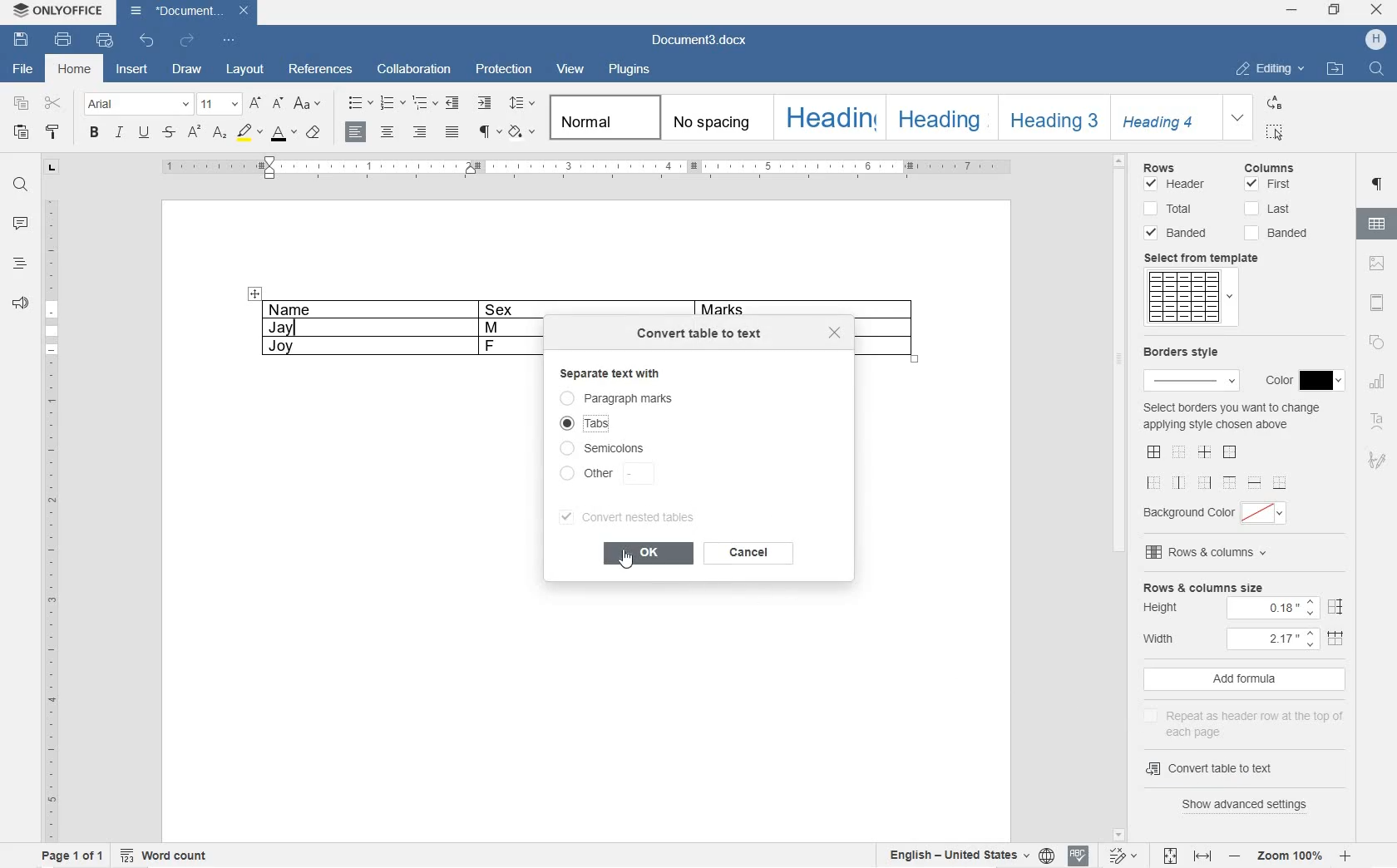  What do you see at coordinates (230, 41) in the screenshot?
I see `CUSTOMIZE QUICK ACCESSTOOLBAR` at bounding box center [230, 41].